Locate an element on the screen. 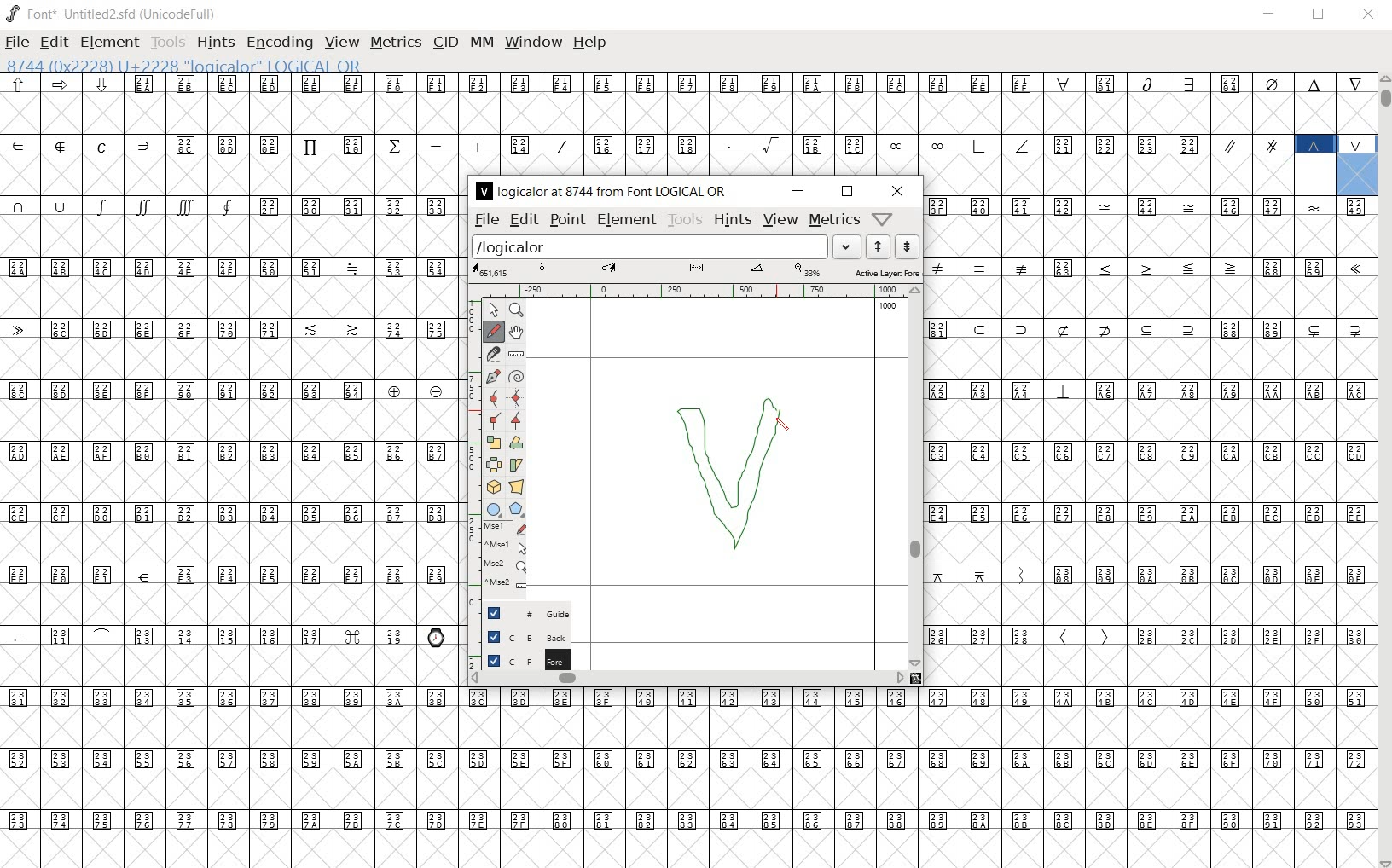 The height and width of the screenshot is (868, 1392). add a point, then drag out its control points is located at coordinates (492, 374).